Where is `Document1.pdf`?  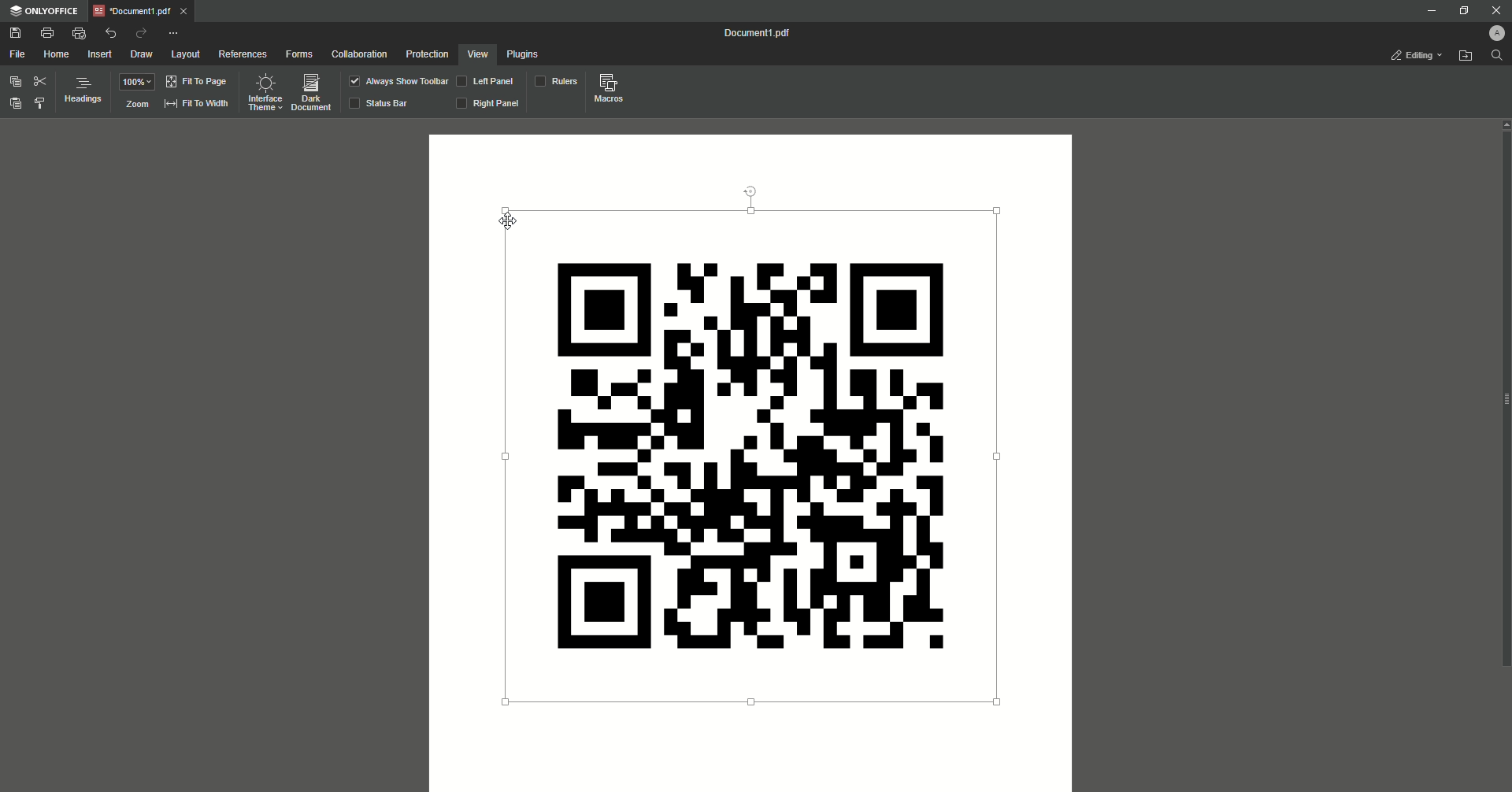 Document1.pdf is located at coordinates (141, 12).